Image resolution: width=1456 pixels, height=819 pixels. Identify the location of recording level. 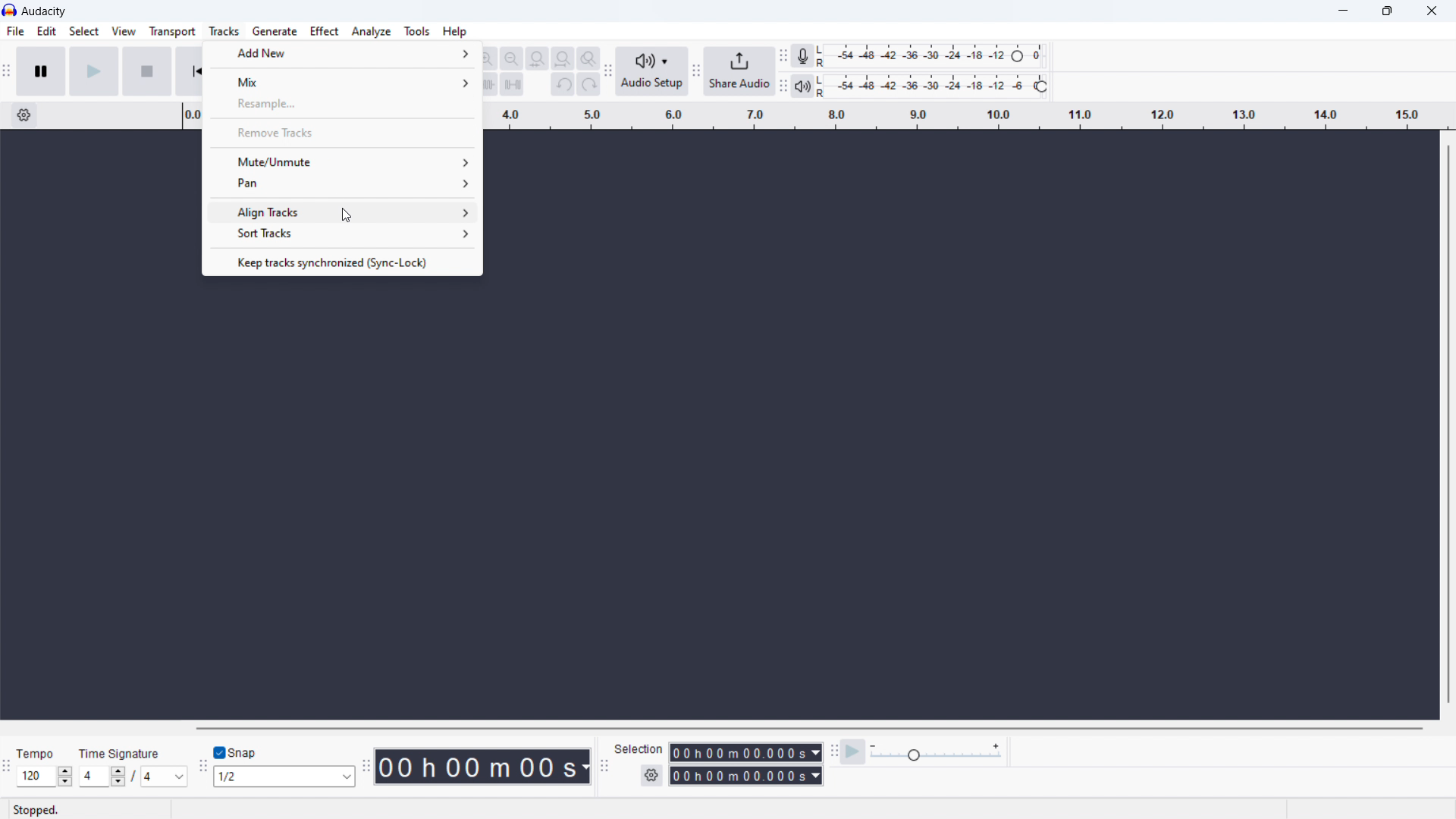
(934, 56).